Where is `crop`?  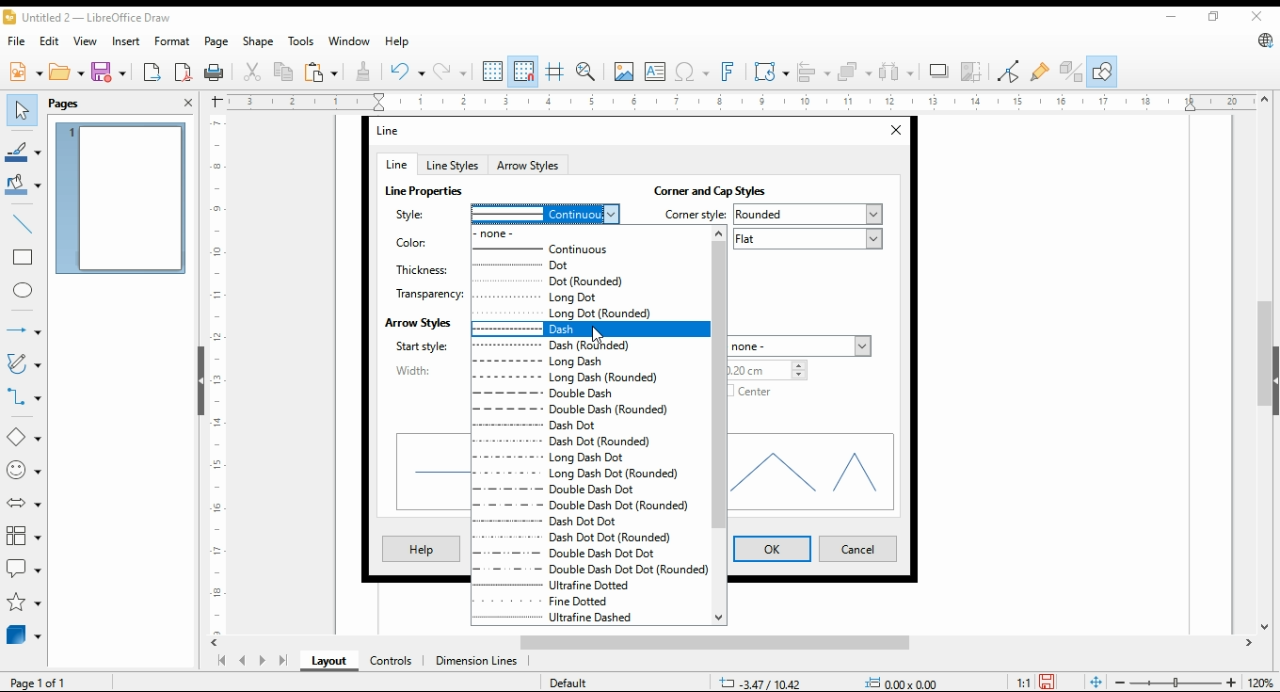 crop is located at coordinates (974, 71).